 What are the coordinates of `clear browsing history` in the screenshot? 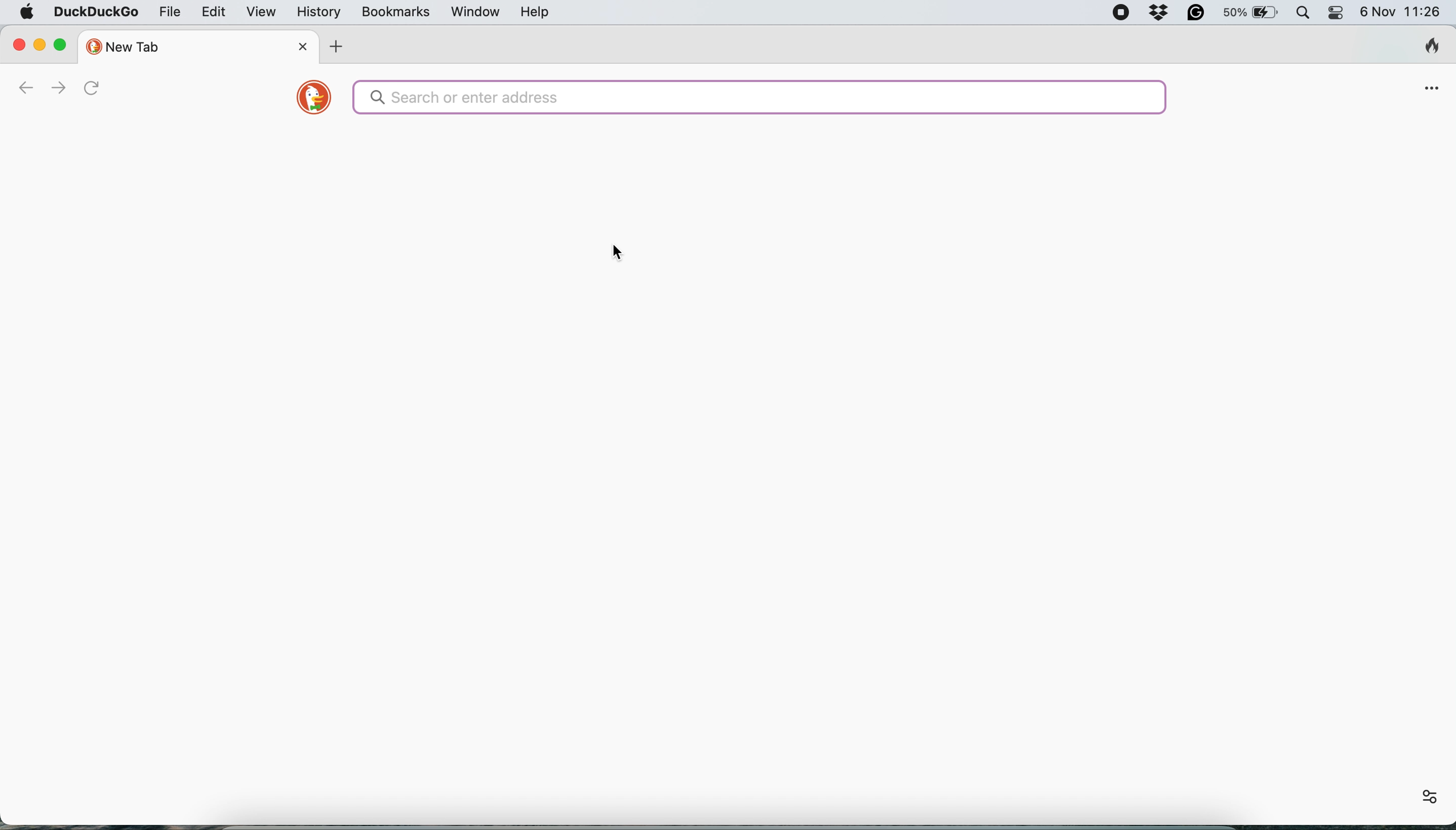 It's located at (1437, 48).